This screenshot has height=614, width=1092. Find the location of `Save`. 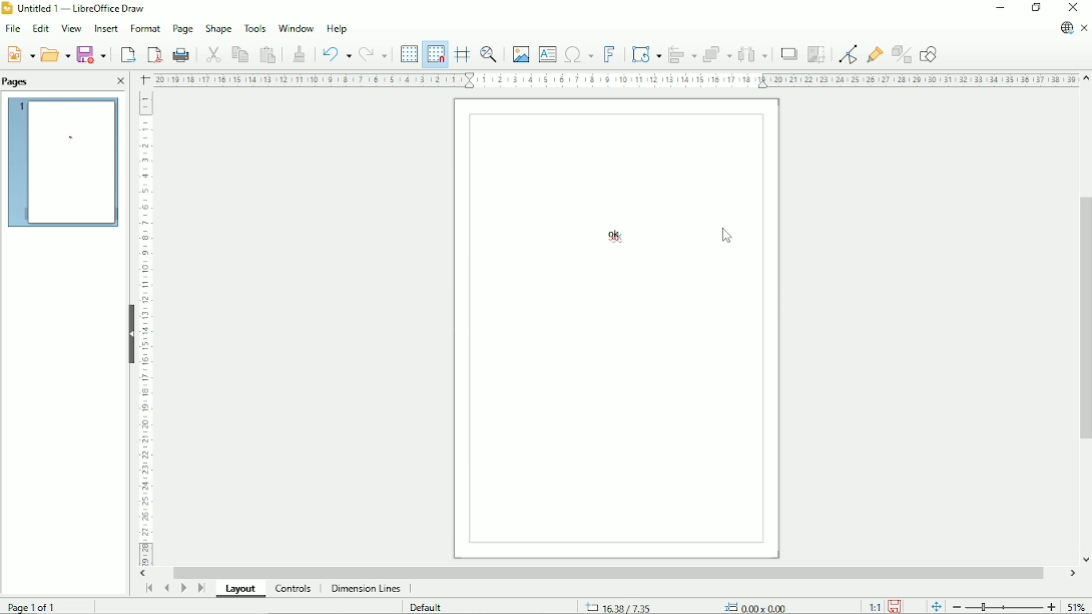

Save is located at coordinates (93, 54).